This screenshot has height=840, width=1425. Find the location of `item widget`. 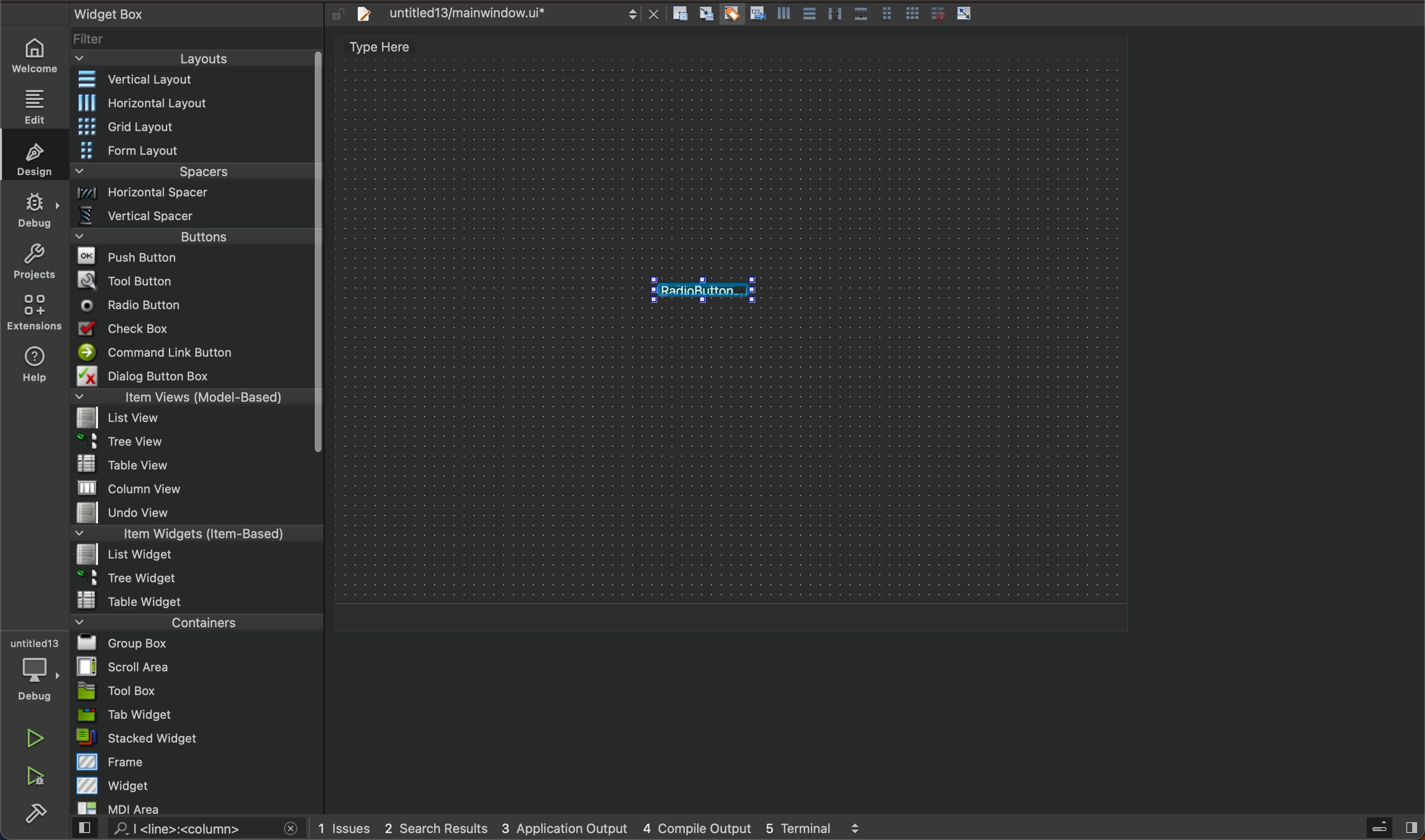

item widget is located at coordinates (194, 536).